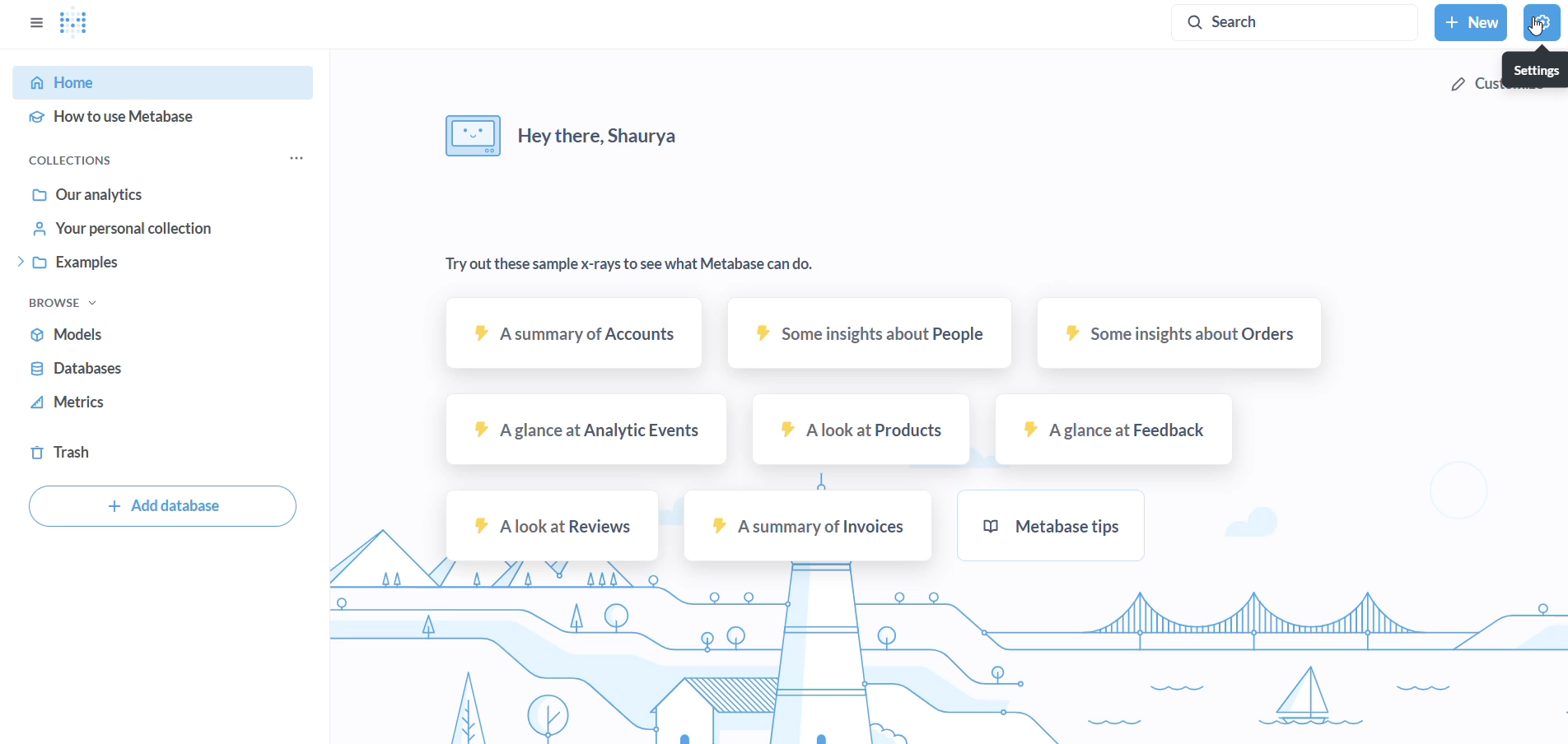 This screenshot has width=1568, height=744. I want to click on ¥ Alook at Products, so click(865, 430).